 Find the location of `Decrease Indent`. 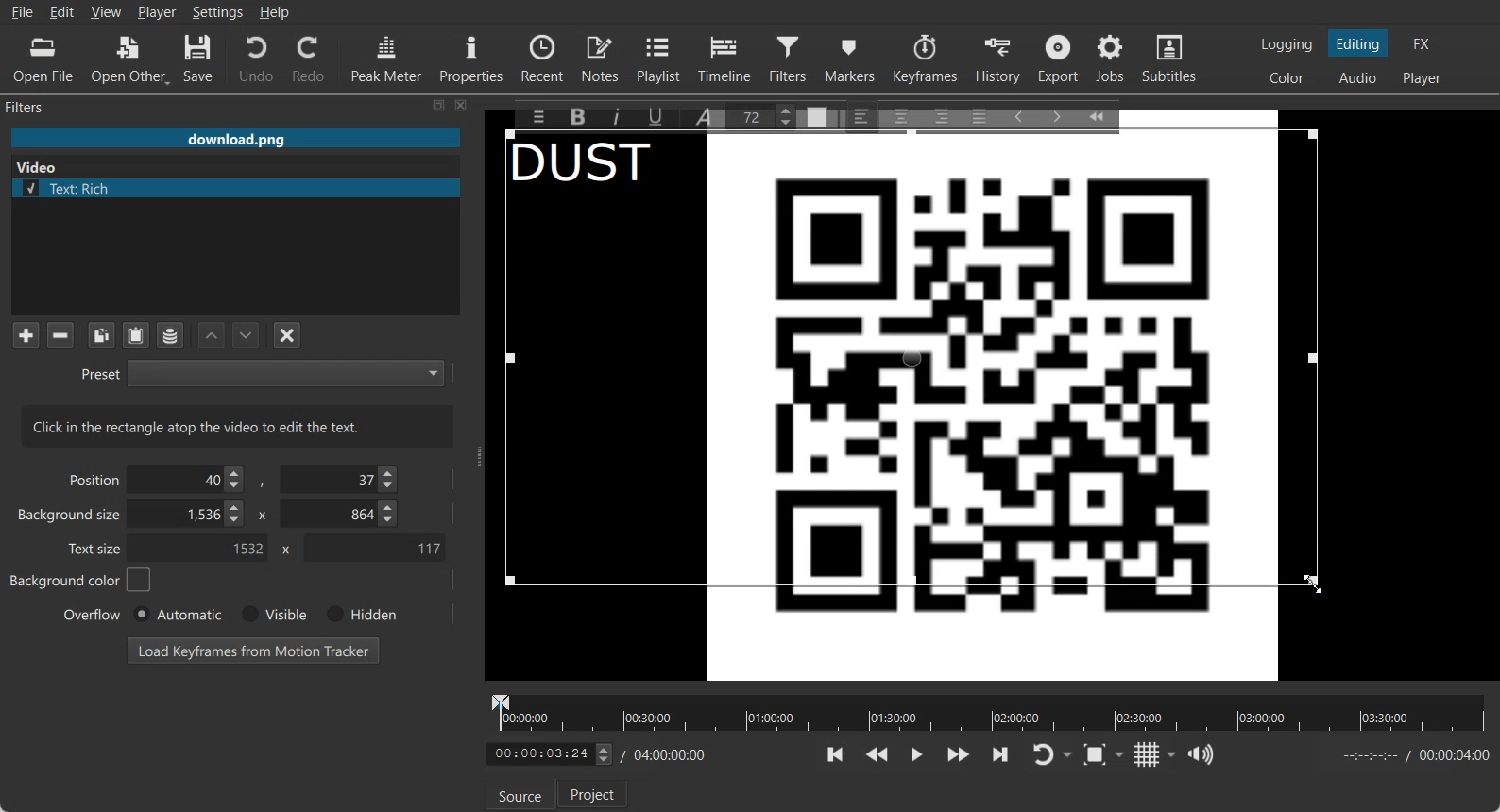

Decrease Indent is located at coordinates (1018, 115).